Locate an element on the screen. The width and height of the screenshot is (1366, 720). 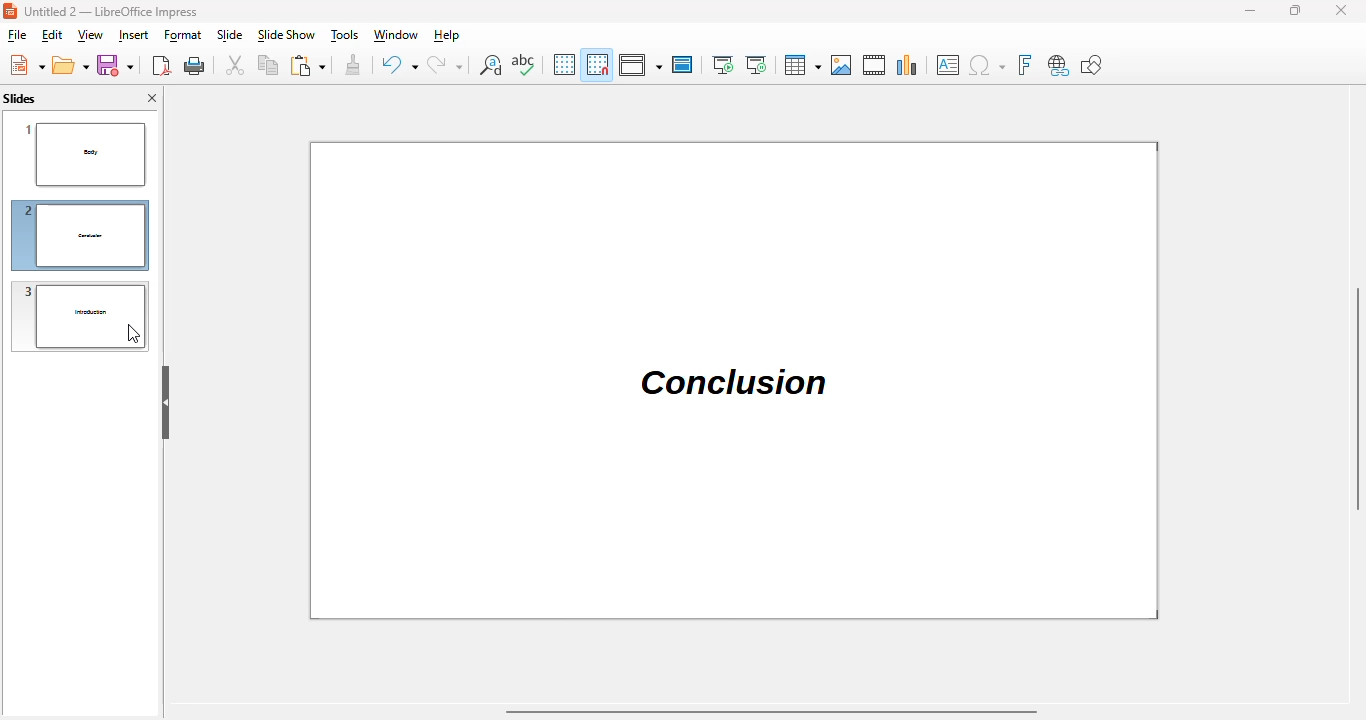
open is located at coordinates (71, 65).